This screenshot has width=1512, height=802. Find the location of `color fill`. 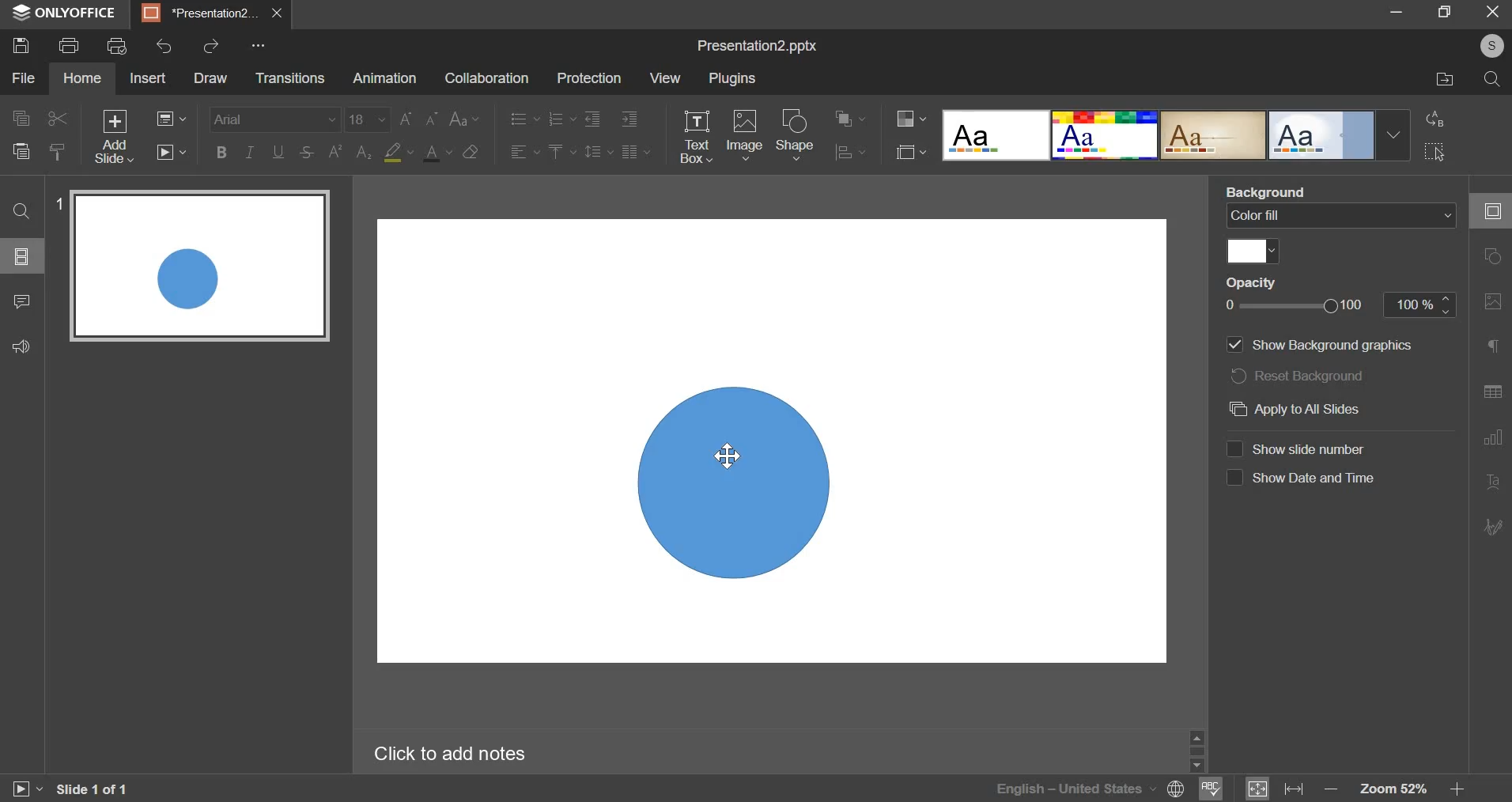

color fill is located at coordinates (1249, 249).